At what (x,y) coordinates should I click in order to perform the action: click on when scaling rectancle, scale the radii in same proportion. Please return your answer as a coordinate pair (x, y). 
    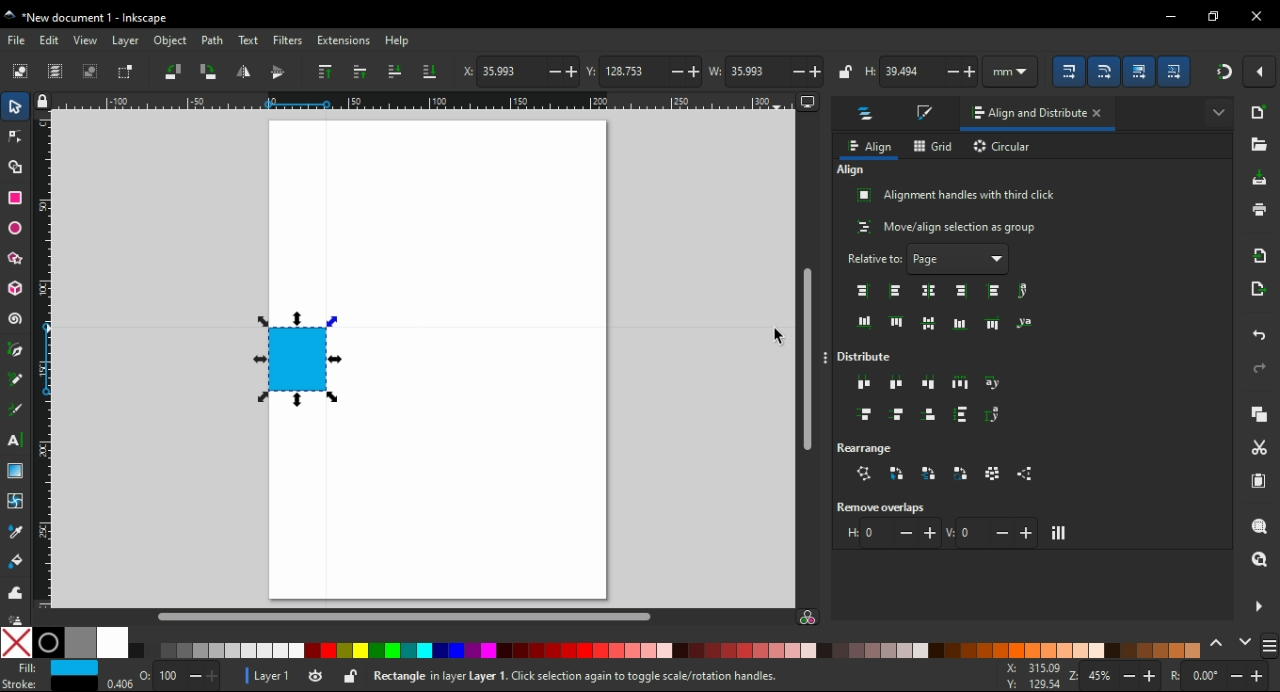
    Looking at the image, I should click on (1103, 73).